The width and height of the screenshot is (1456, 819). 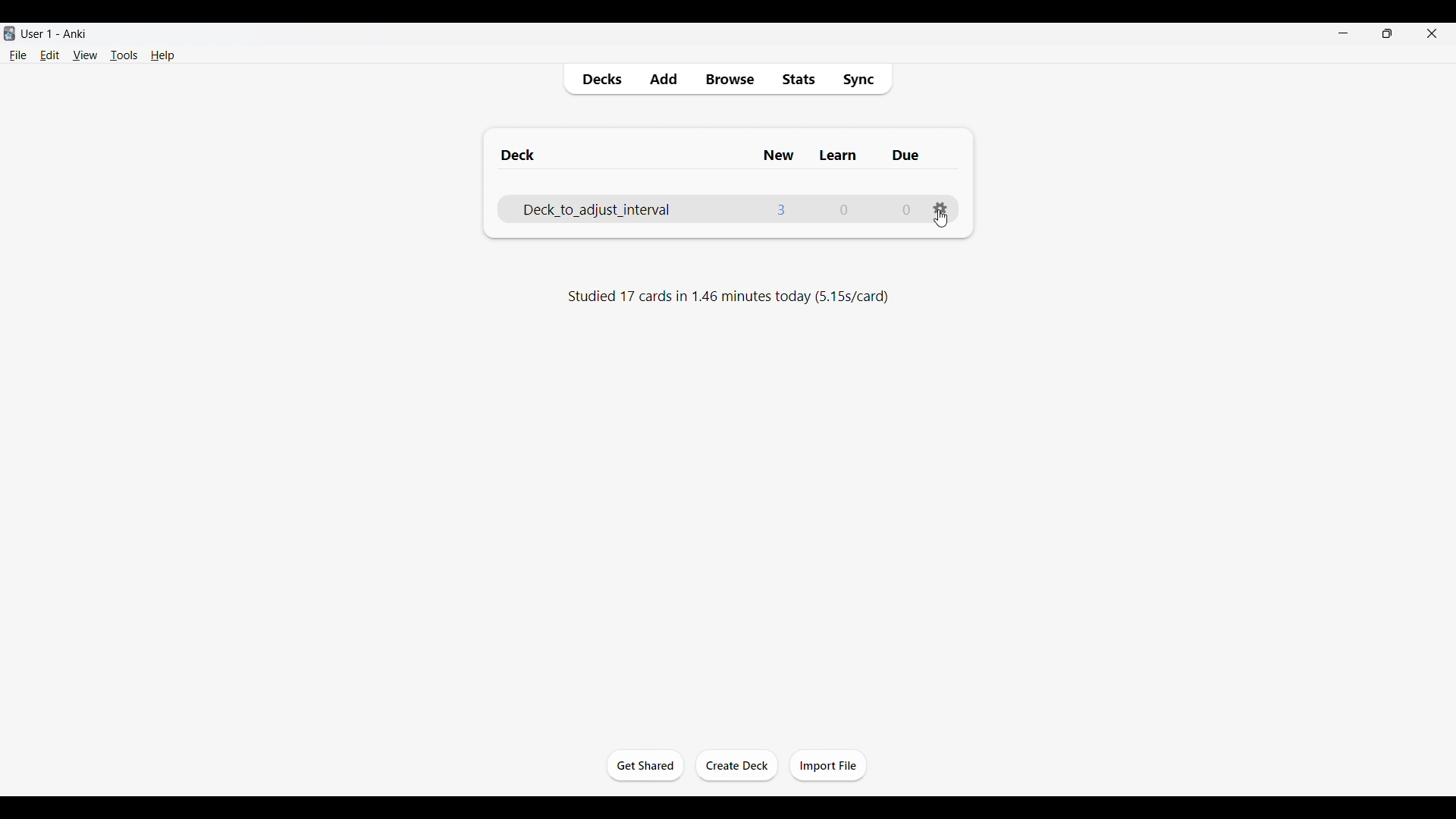 What do you see at coordinates (622, 157) in the screenshot?
I see `Deck column` at bounding box center [622, 157].